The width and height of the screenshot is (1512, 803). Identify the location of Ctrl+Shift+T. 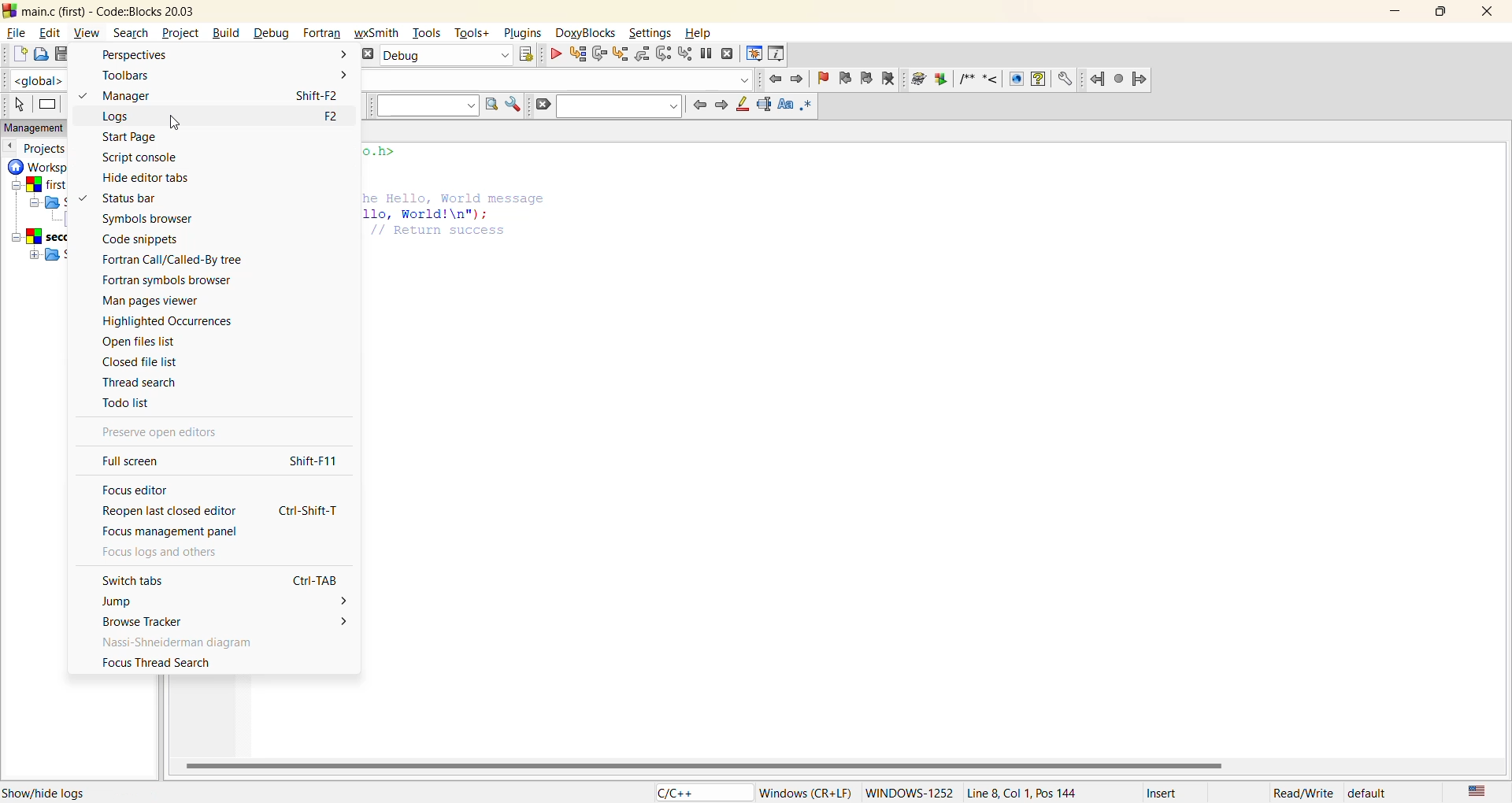
(310, 510).